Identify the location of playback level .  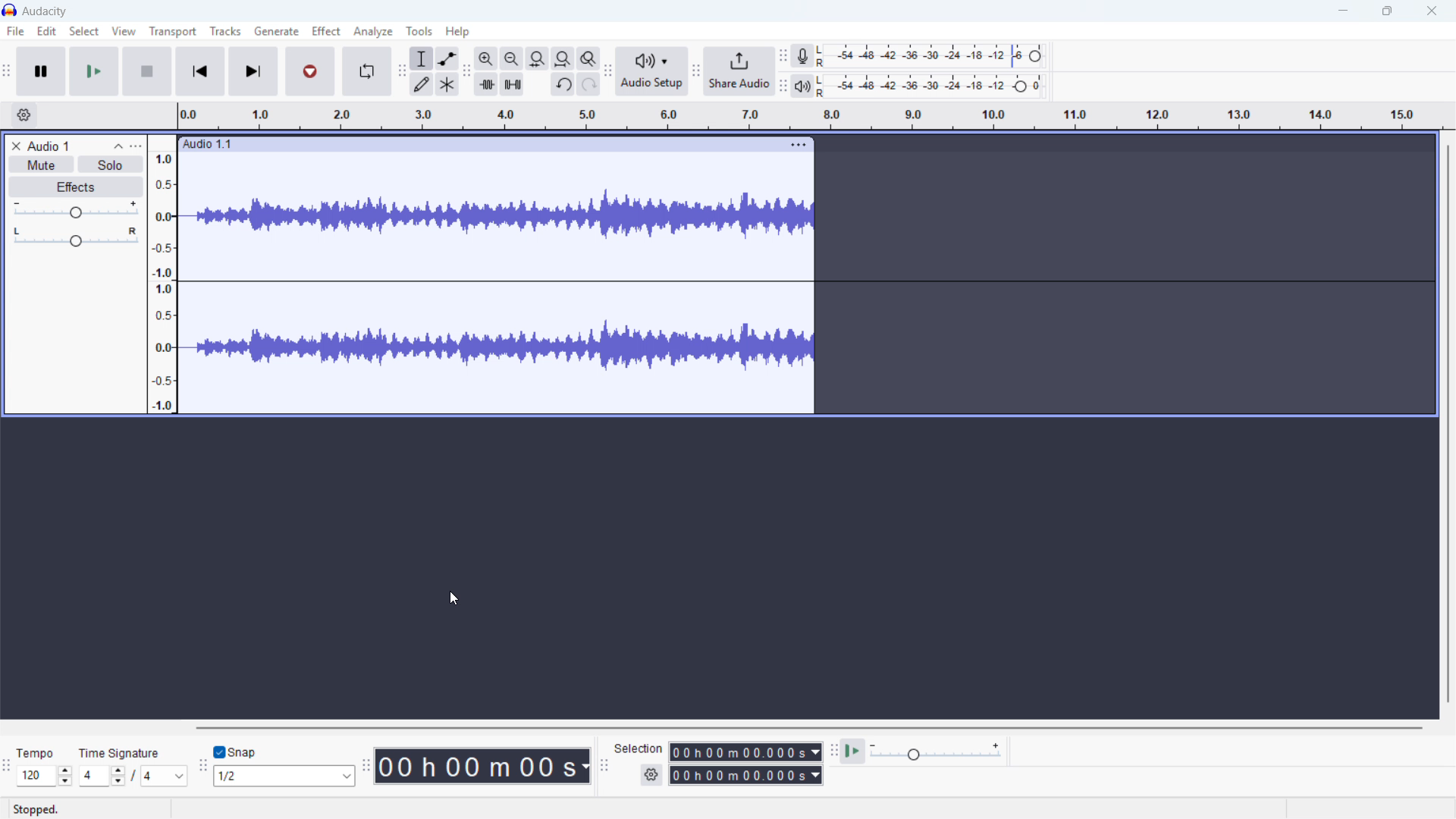
(935, 86).